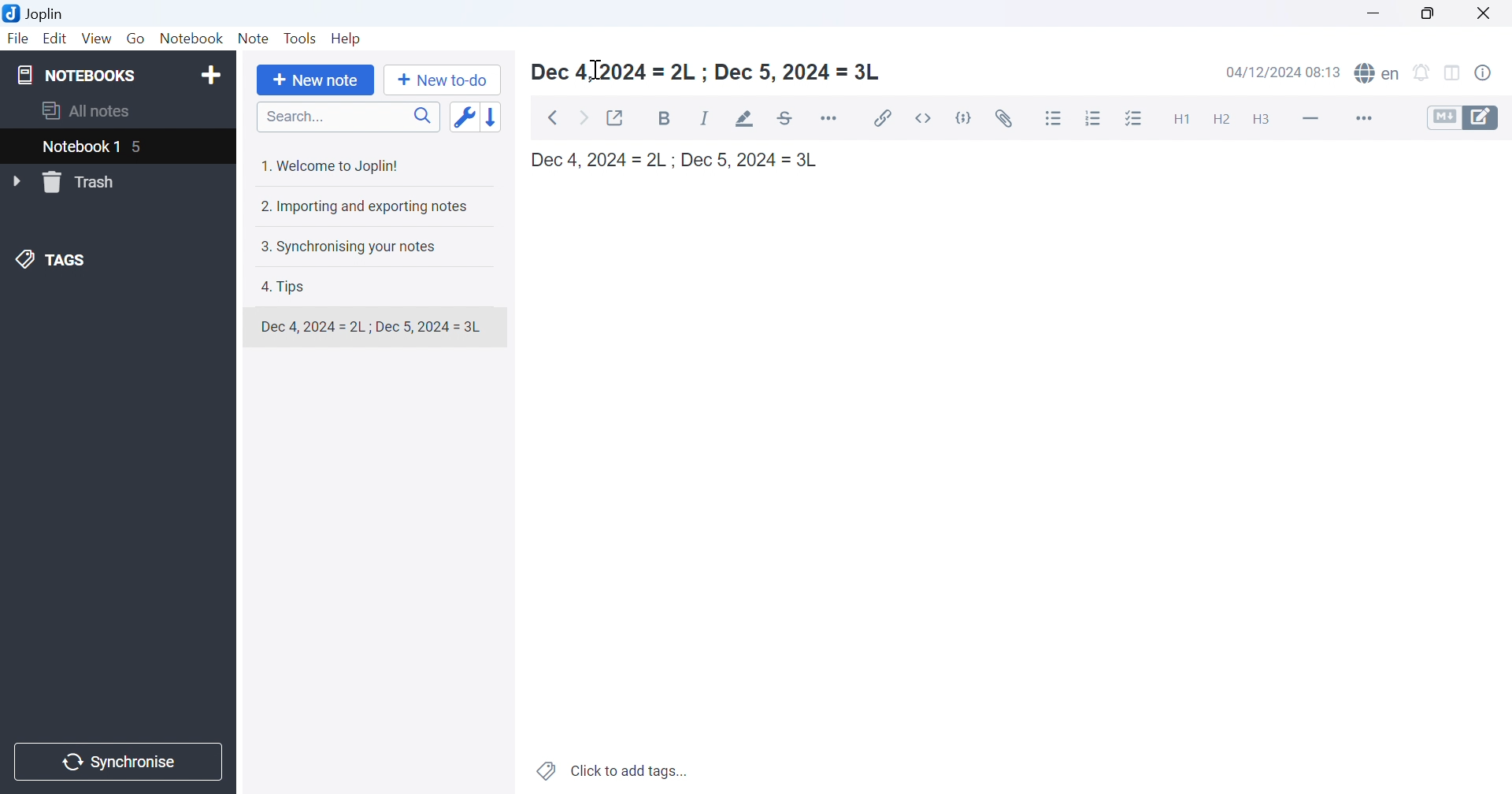 The width and height of the screenshot is (1512, 794). I want to click on Horizontal, so click(832, 118).